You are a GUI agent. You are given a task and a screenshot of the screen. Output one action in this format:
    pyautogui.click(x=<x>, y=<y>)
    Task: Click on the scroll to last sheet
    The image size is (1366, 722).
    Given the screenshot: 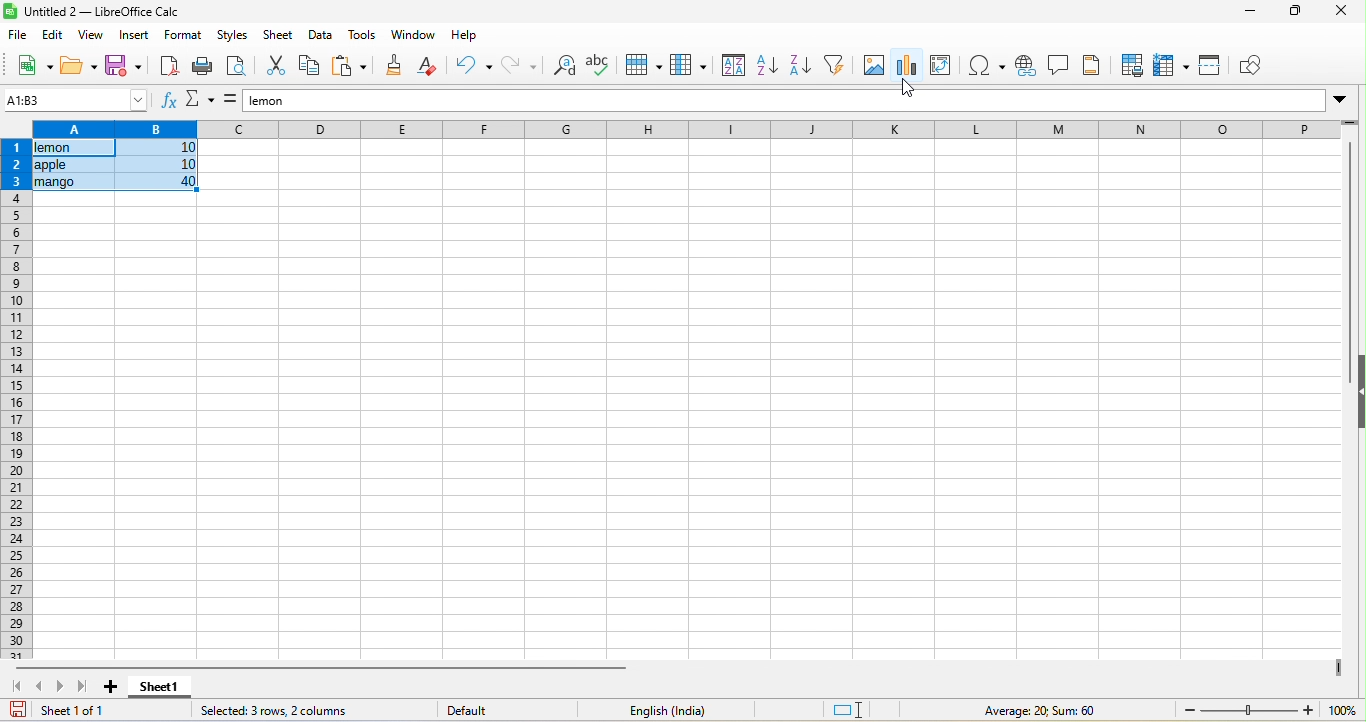 What is the action you would take?
    pyautogui.click(x=81, y=688)
    